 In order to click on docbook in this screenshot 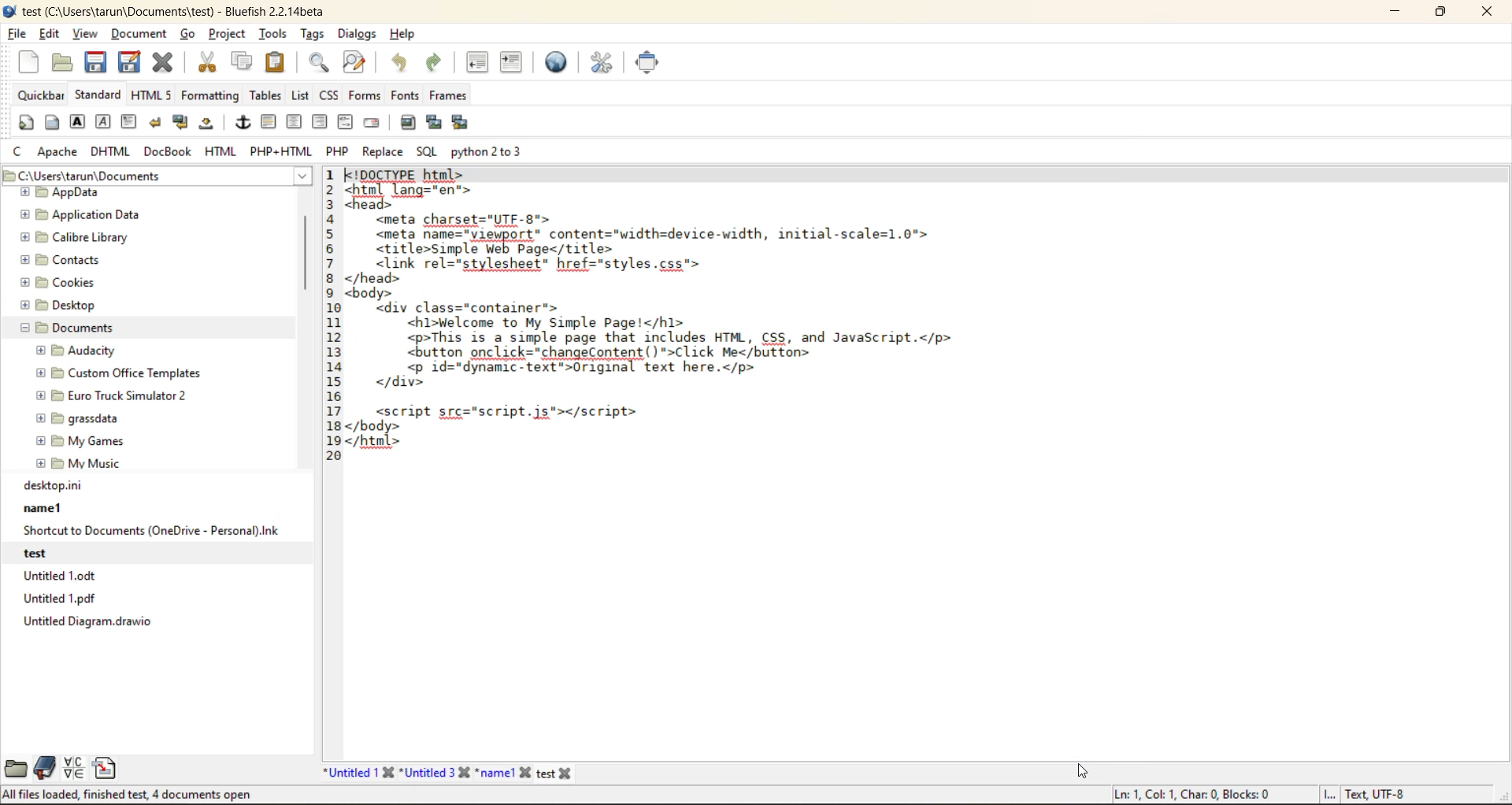, I will do `click(169, 153)`.